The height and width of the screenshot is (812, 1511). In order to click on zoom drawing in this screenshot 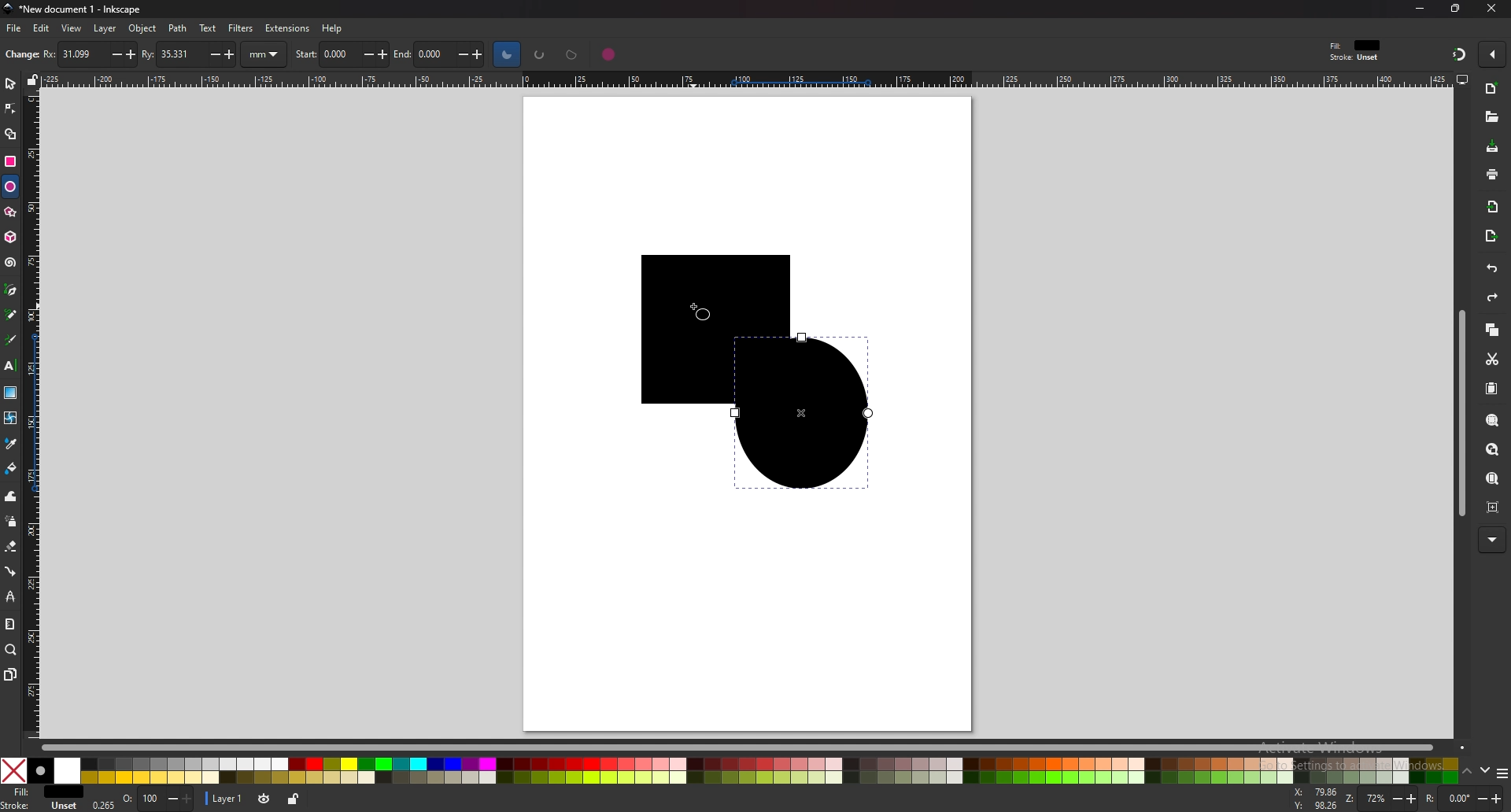, I will do `click(1493, 448)`.